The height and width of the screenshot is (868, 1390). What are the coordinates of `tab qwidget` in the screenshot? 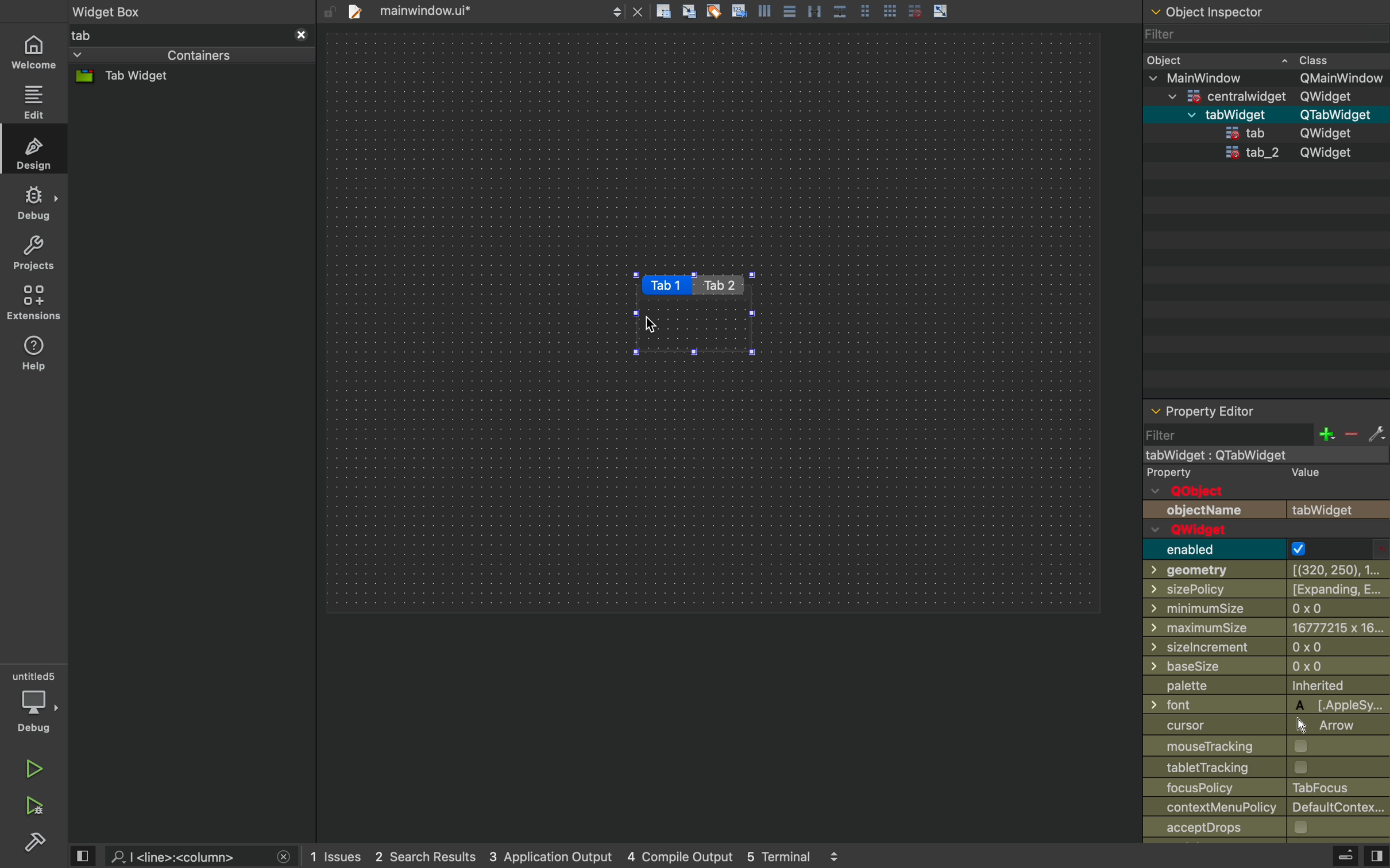 It's located at (1291, 133).